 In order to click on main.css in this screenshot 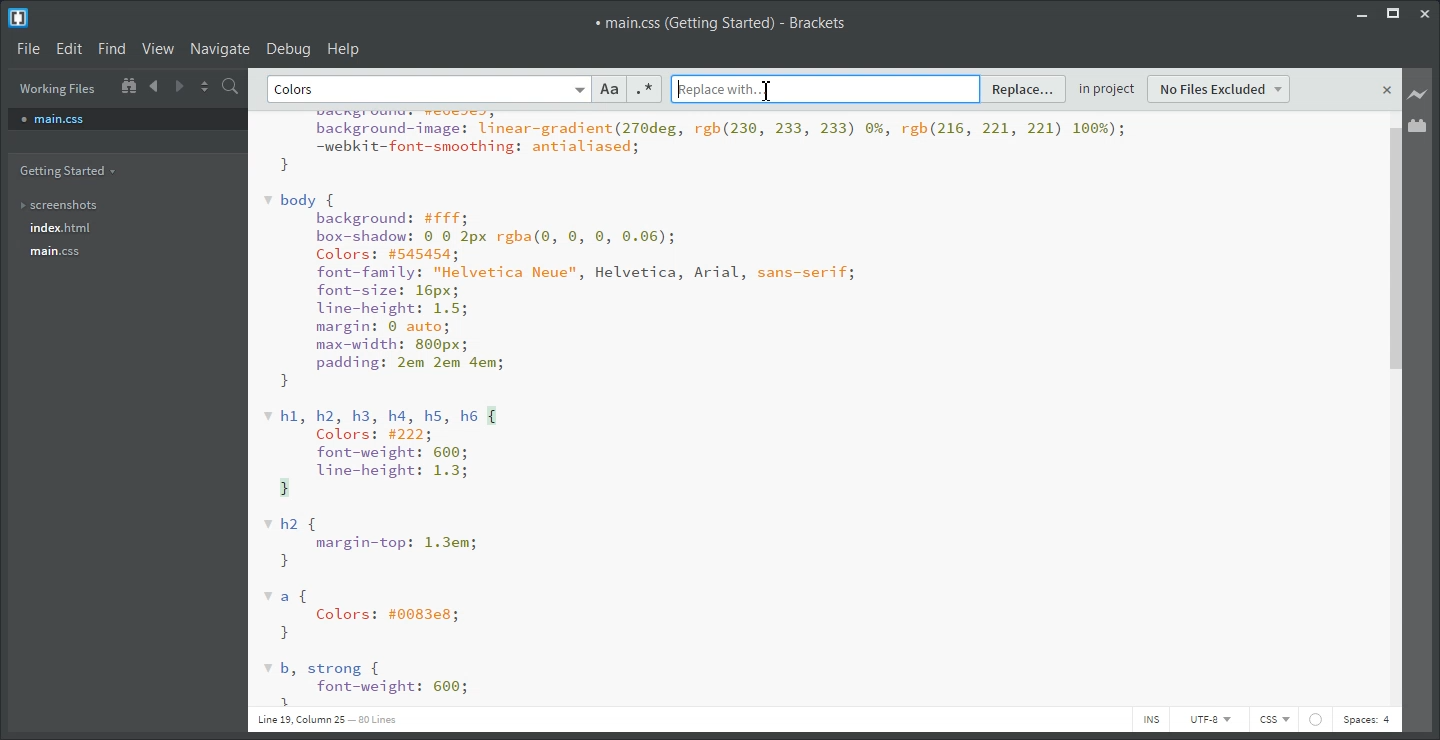, I will do `click(73, 251)`.